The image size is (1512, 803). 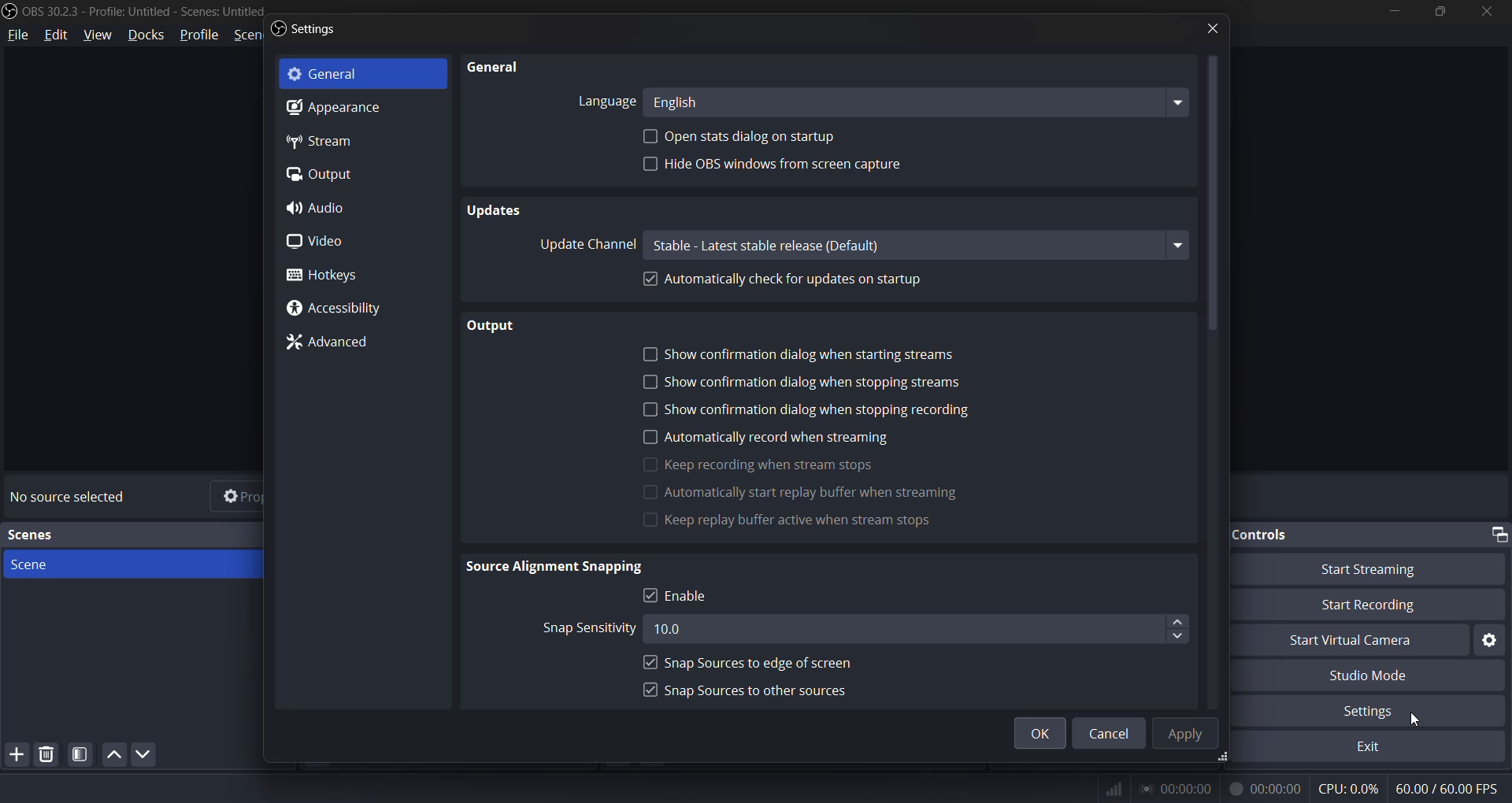 I want to click on Snap Sensitivity, so click(x=588, y=630).